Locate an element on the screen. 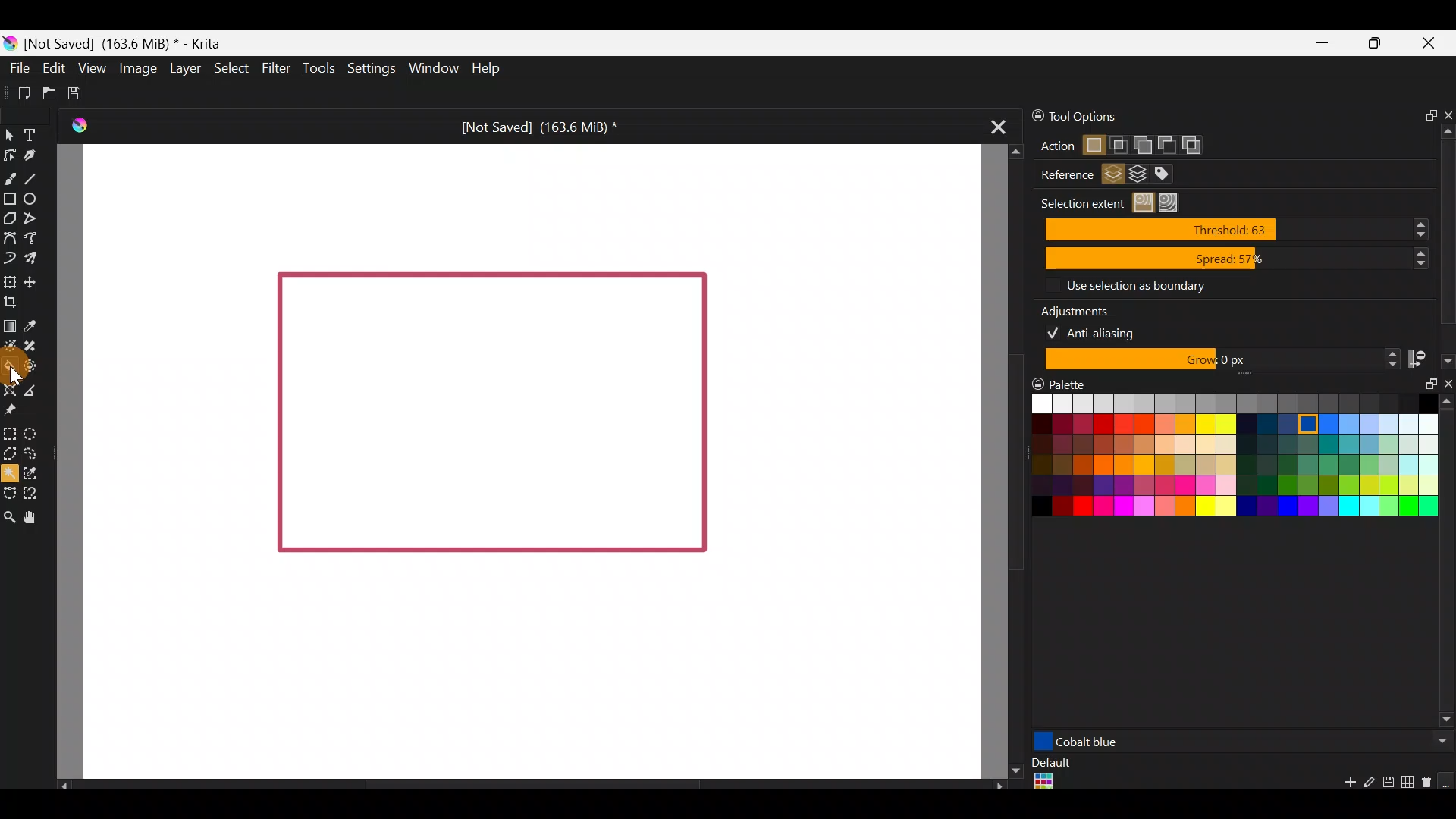  Edit swatch/group is located at coordinates (1370, 786).